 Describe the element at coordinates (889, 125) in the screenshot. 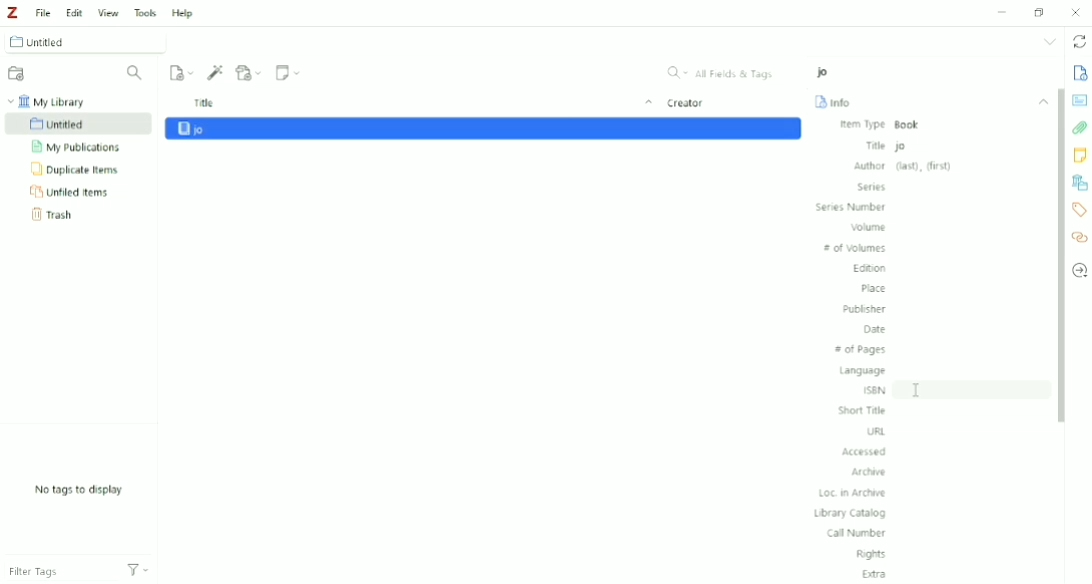

I see `Item Type Book` at that location.